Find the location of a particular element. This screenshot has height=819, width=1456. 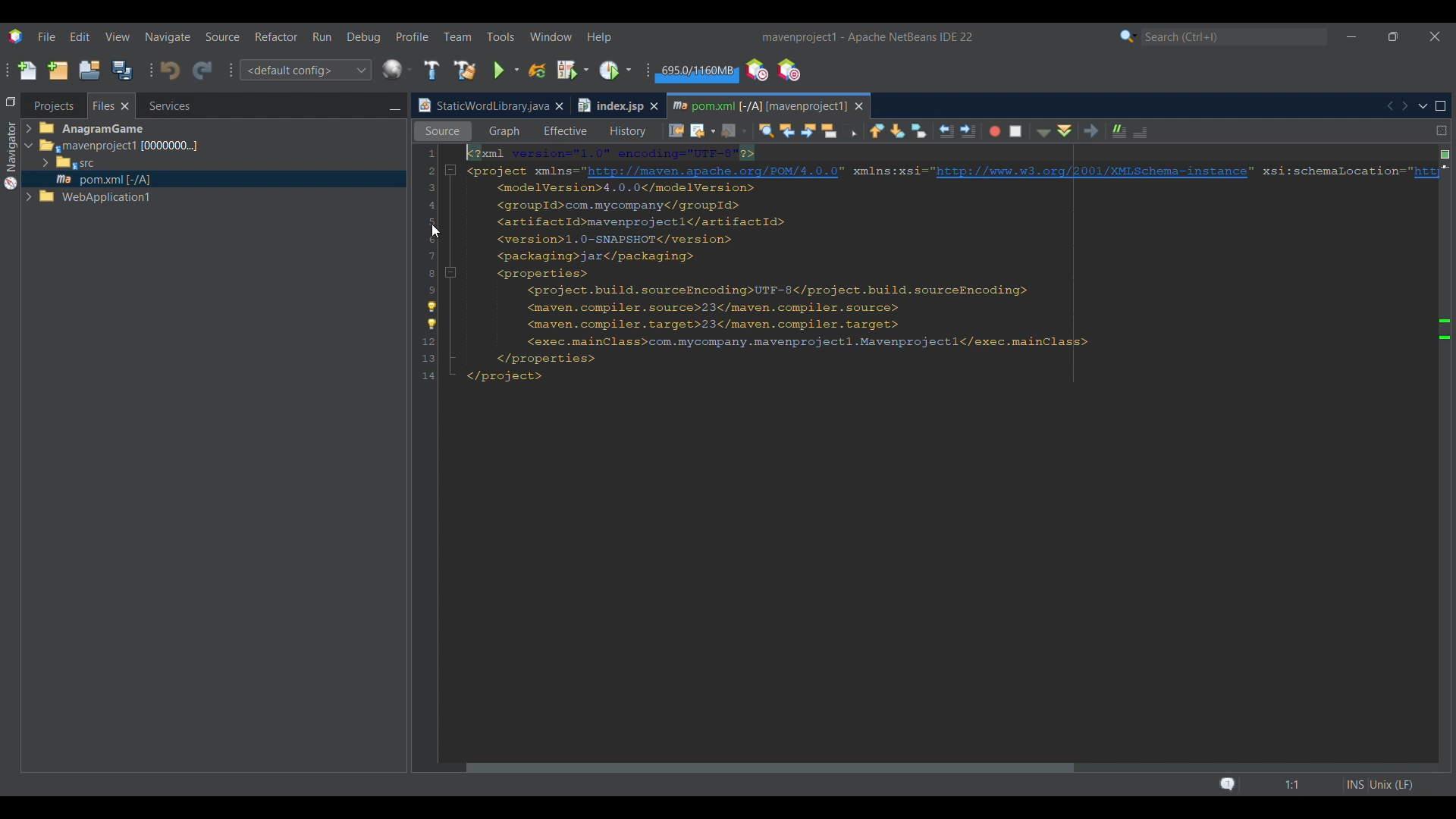

Build main project is located at coordinates (431, 70).